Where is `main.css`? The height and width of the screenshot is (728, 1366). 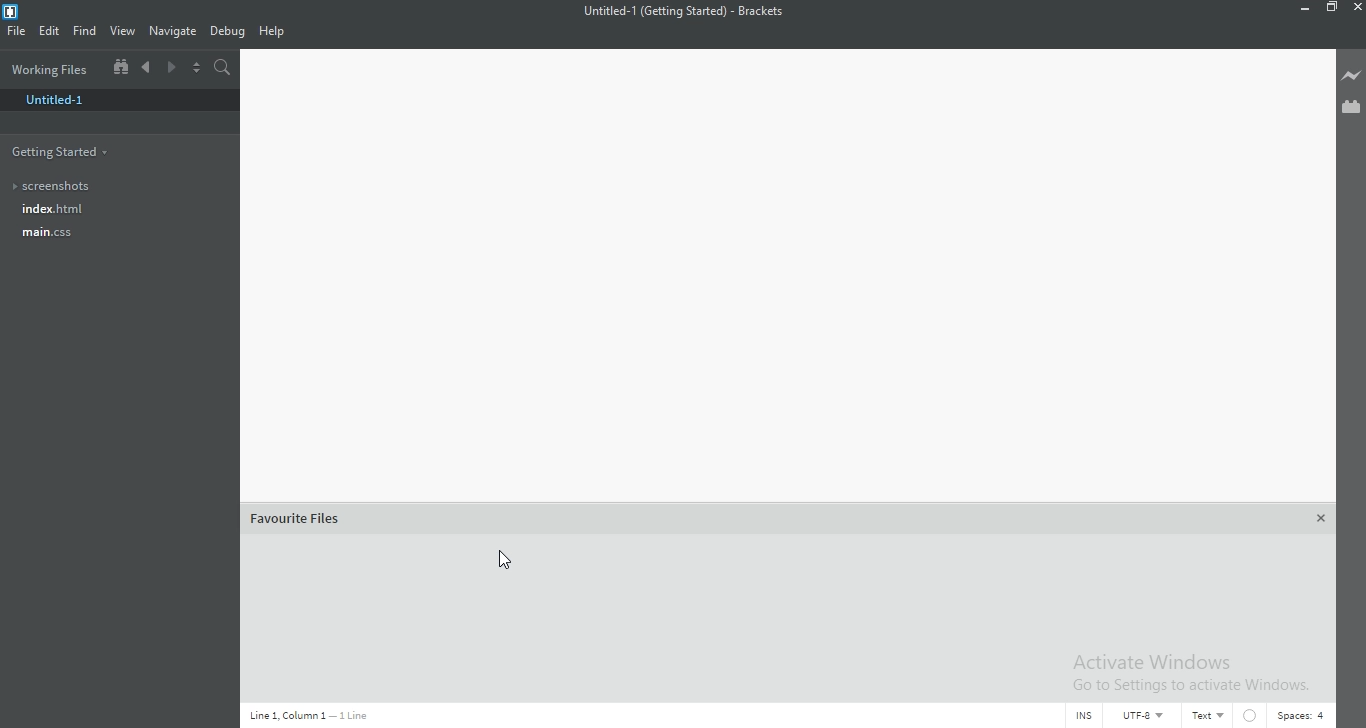 main.css is located at coordinates (84, 234).